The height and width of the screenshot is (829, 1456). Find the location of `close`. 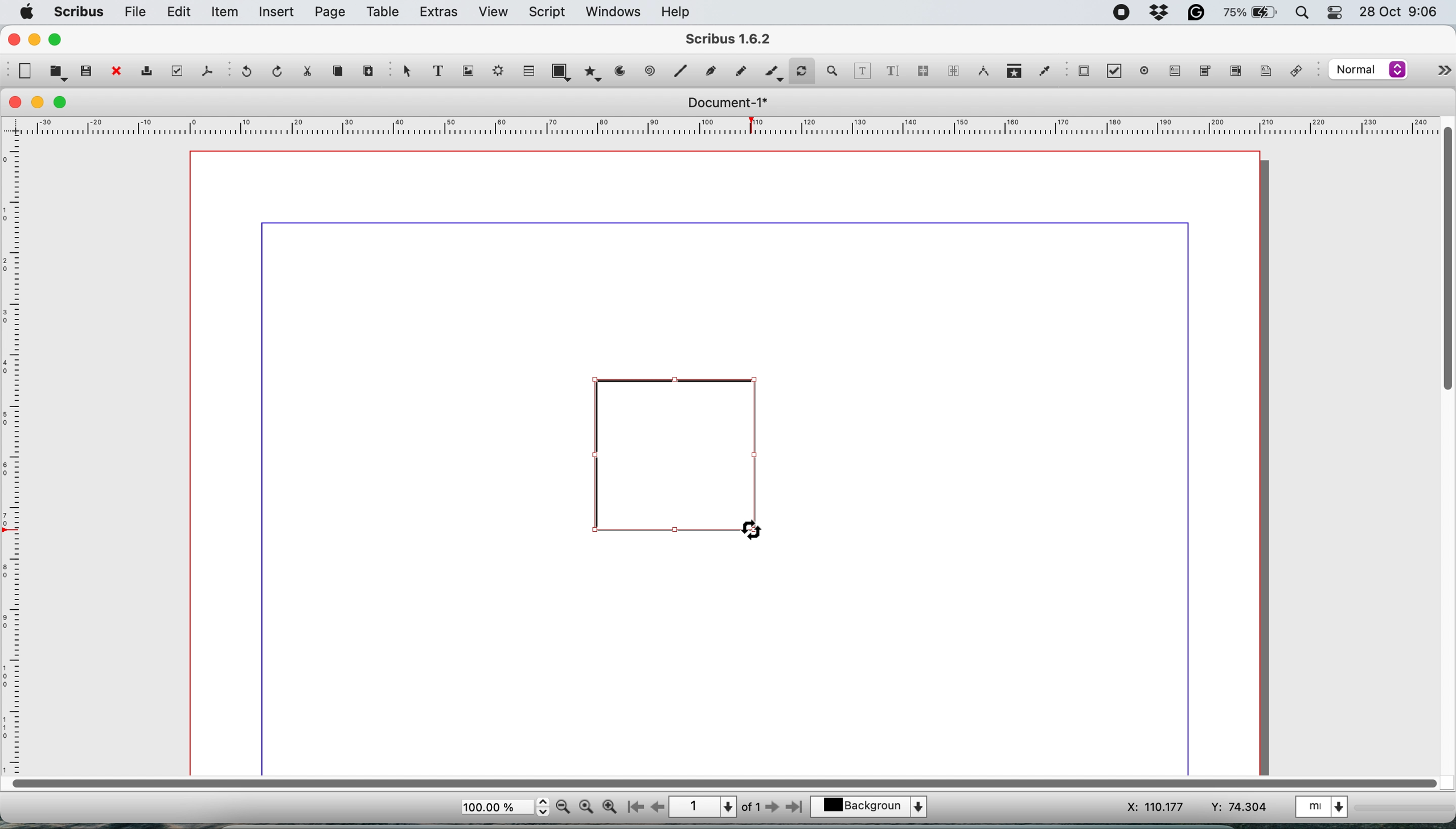

close is located at coordinates (16, 103).